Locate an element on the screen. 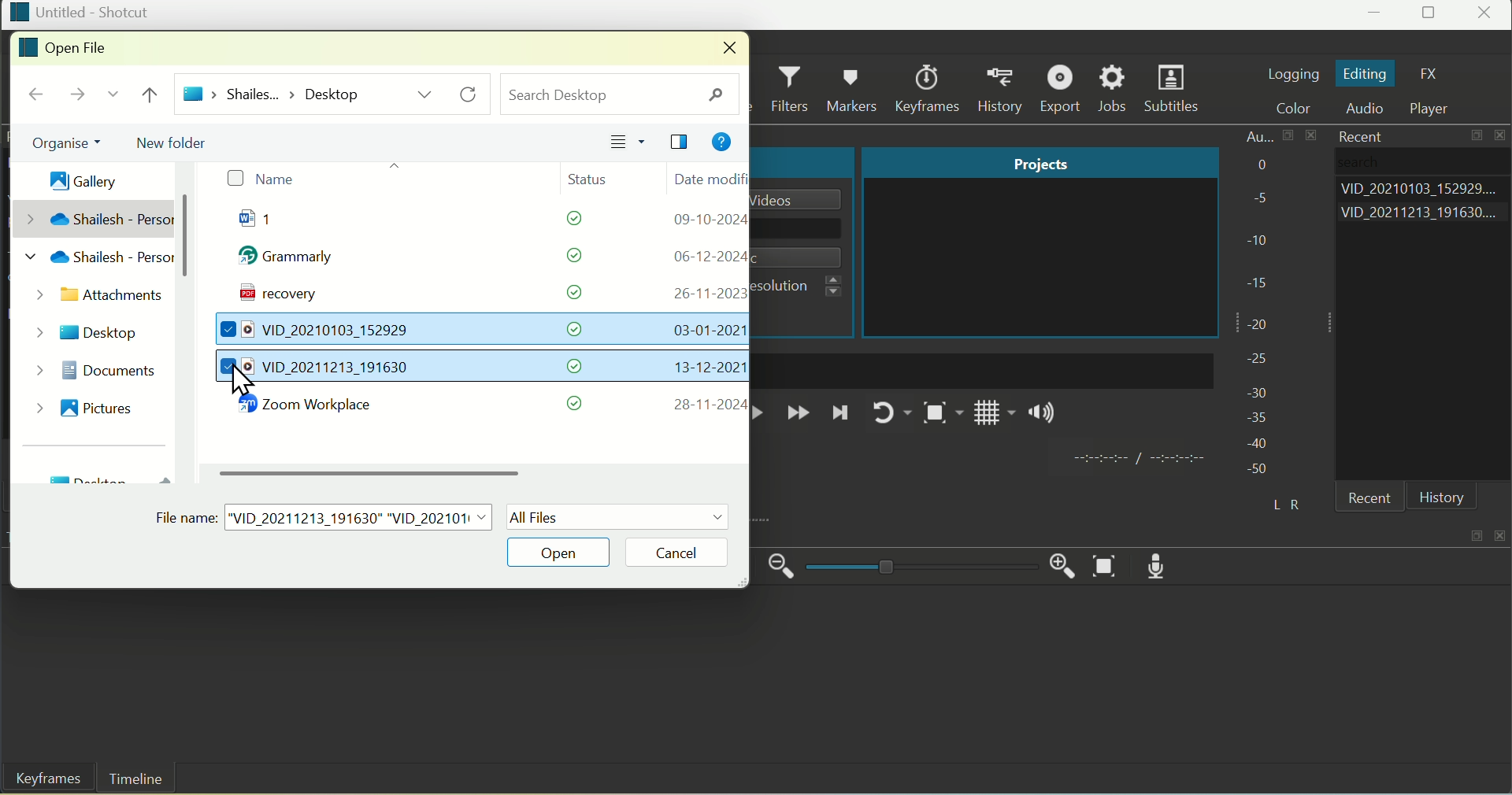 This screenshot has width=1512, height=795. refresh is located at coordinates (472, 94).